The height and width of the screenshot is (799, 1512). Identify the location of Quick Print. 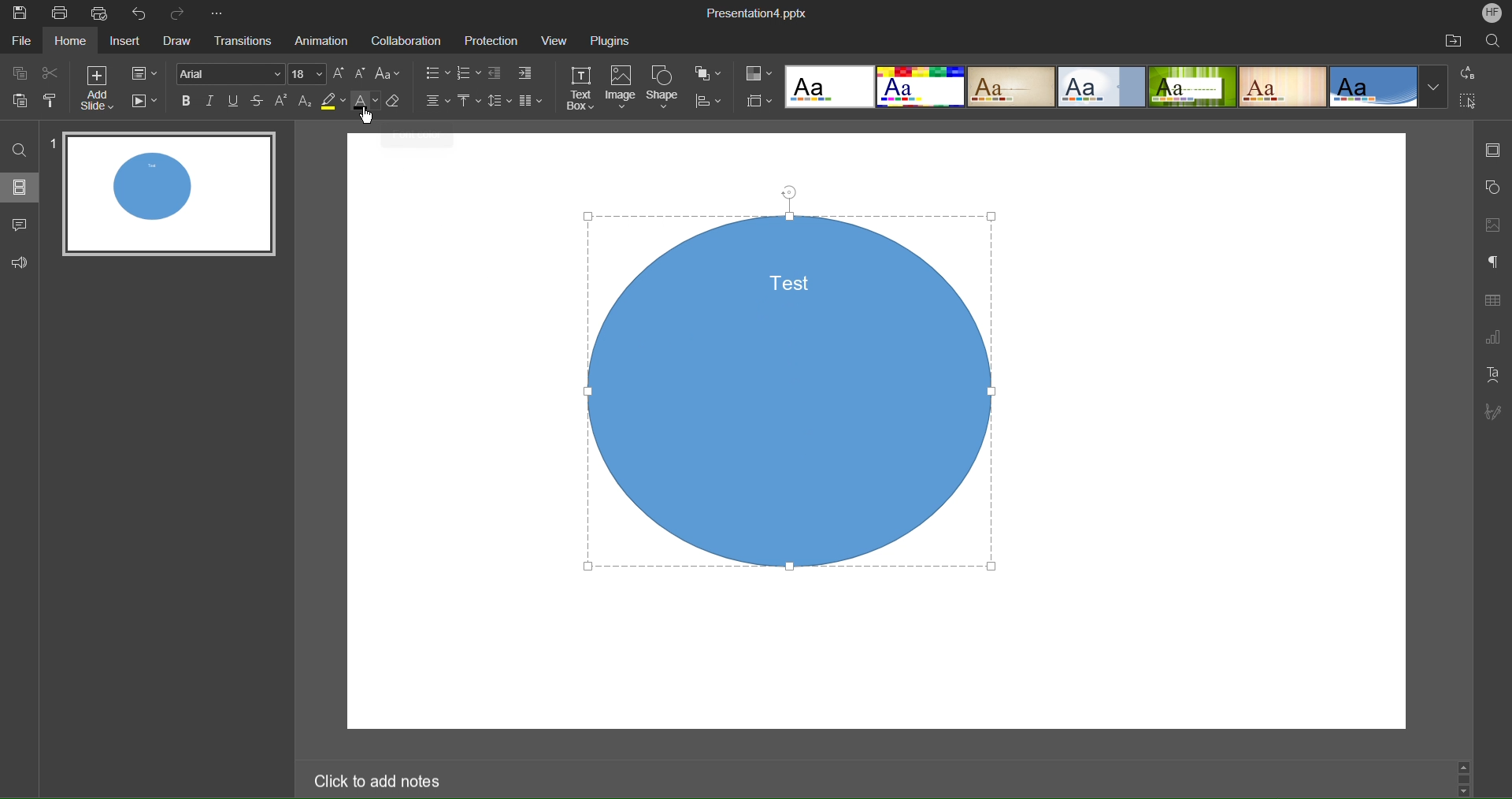
(102, 14).